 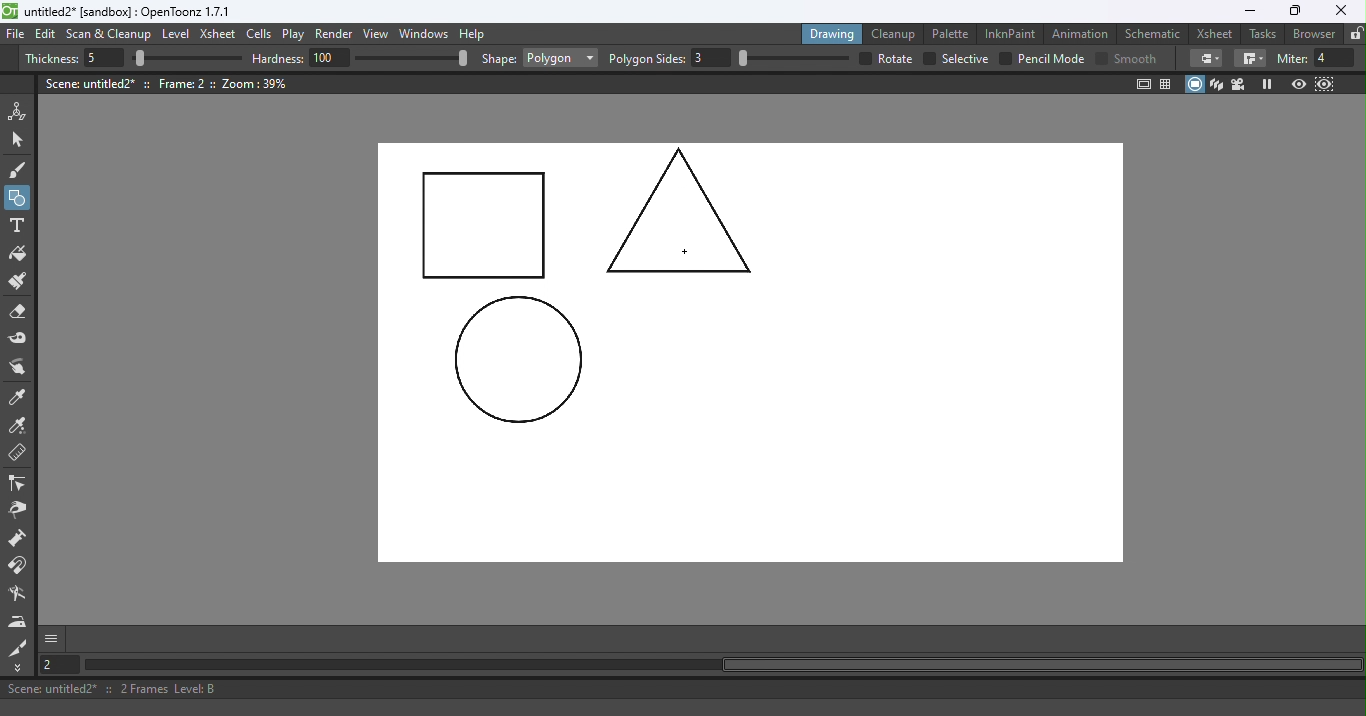 What do you see at coordinates (21, 139) in the screenshot?
I see `Selection tool` at bounding box center [21, 139].